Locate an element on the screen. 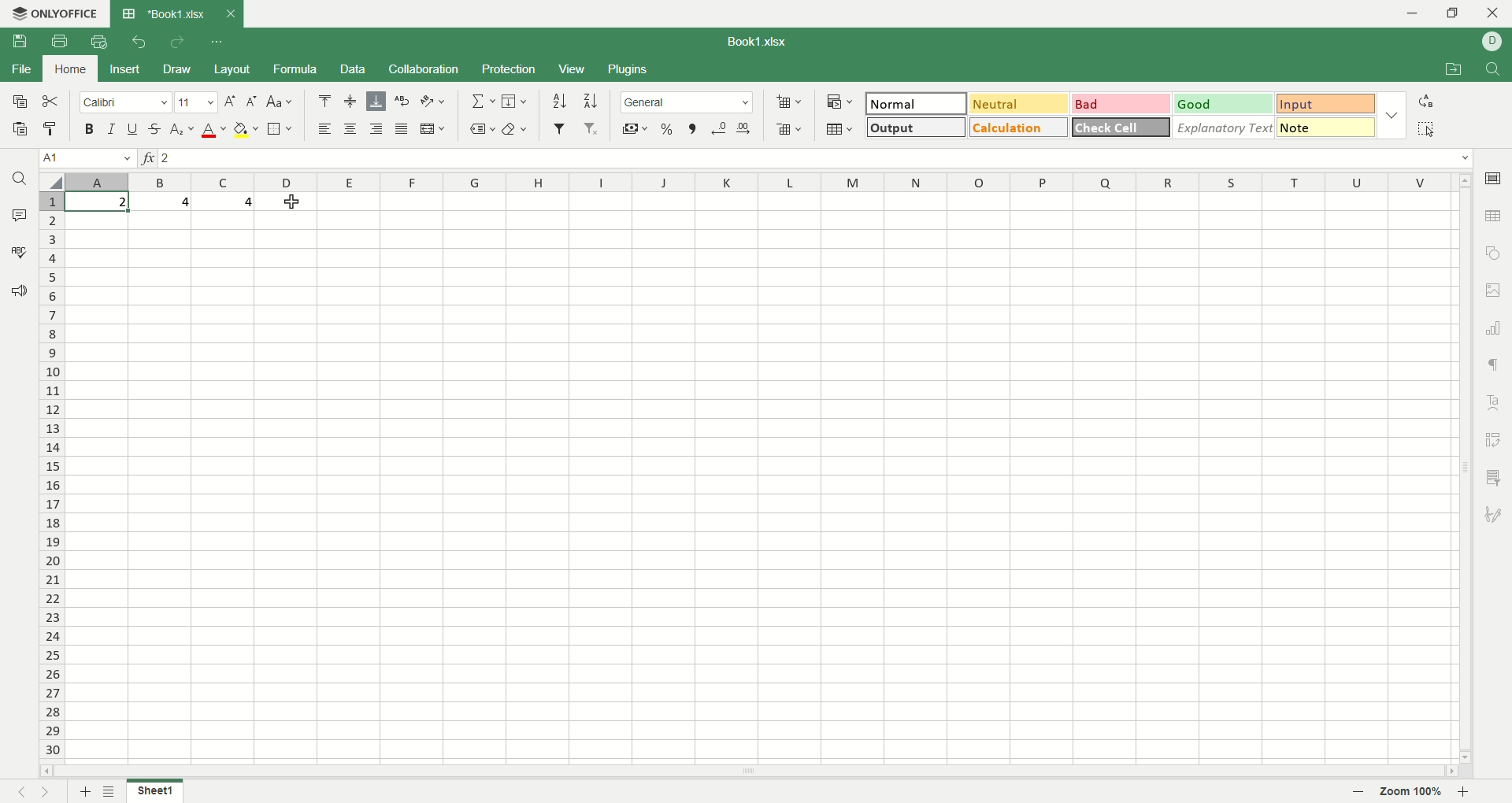  quick access toolbar is located at coordinates (219, 42).